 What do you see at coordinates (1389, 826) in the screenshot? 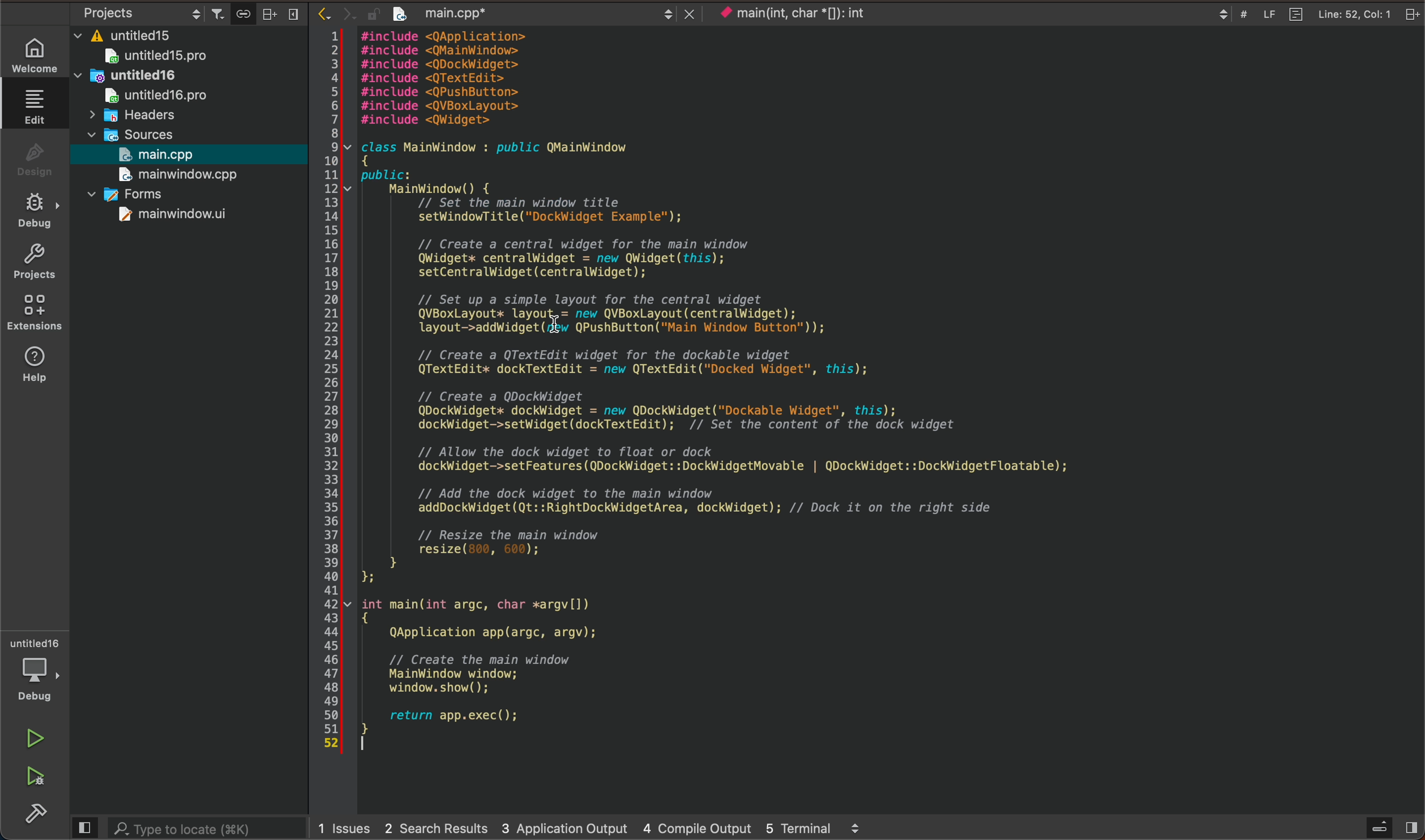
I see `sidebar open` at bounding box center [1389, 826].